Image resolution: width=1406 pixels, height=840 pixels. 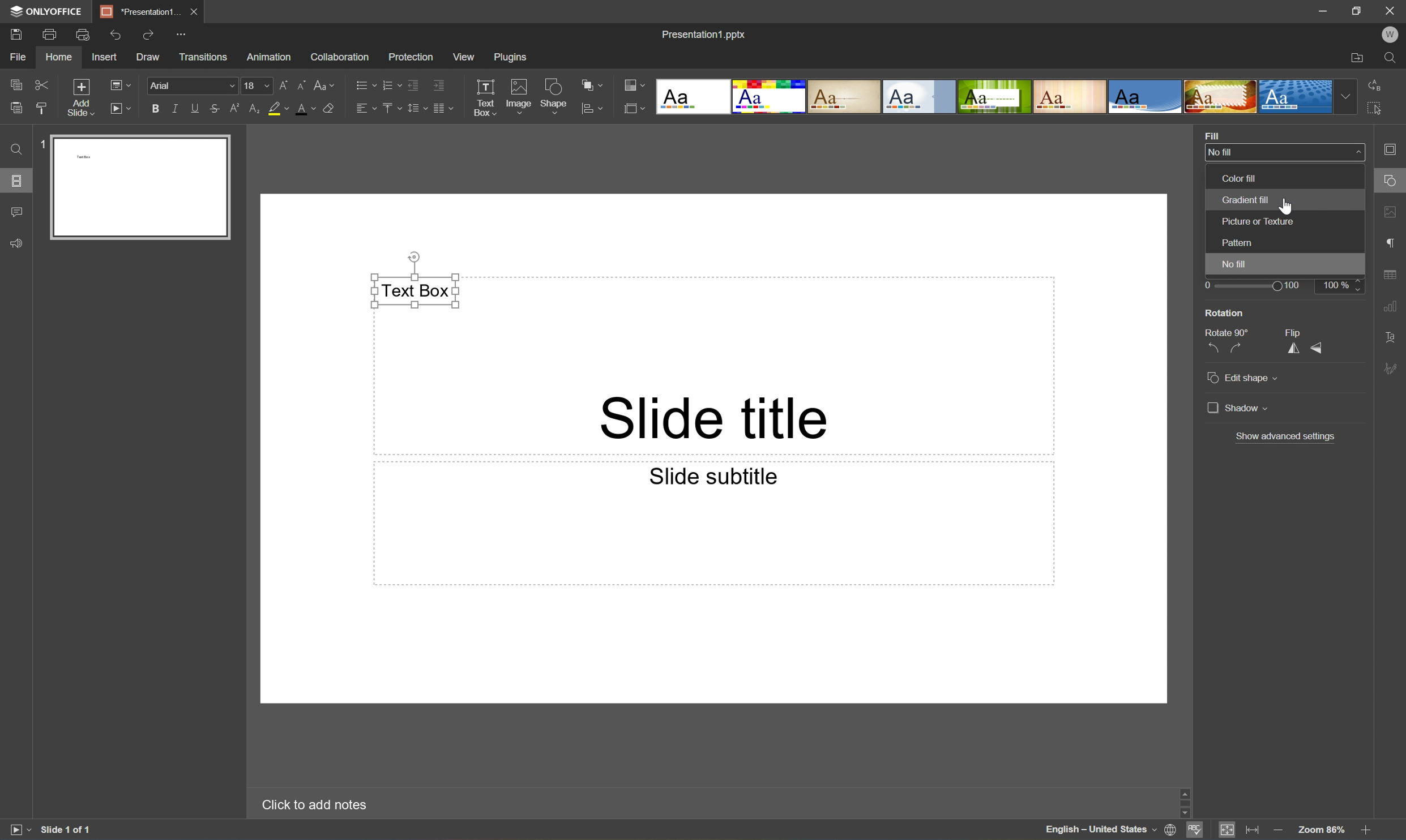 What do you see at coordinates (1375, 107) in the screenshot?
I see `Select All` at bounding box center [1375, 107].